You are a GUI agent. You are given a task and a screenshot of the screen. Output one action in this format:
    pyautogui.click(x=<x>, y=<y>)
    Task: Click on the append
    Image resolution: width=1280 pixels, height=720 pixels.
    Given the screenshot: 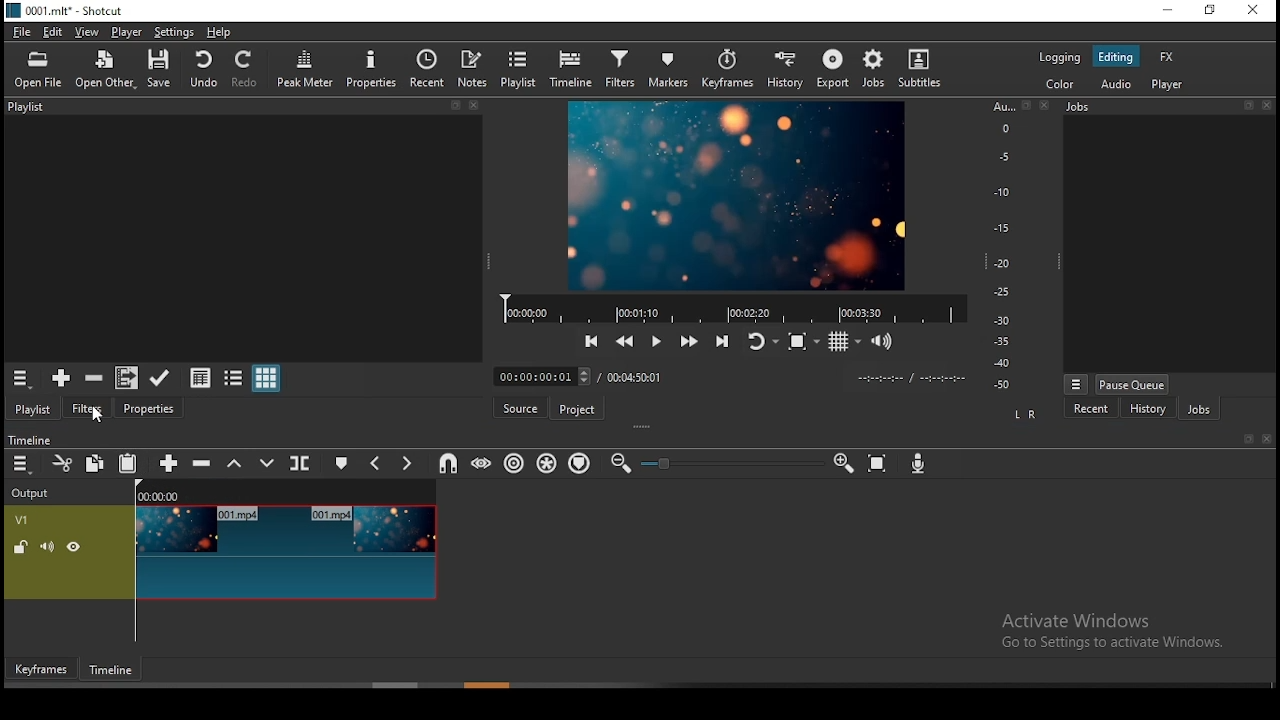 What is the action you would take?
    pyautogui.click(x=162, y=464)
    